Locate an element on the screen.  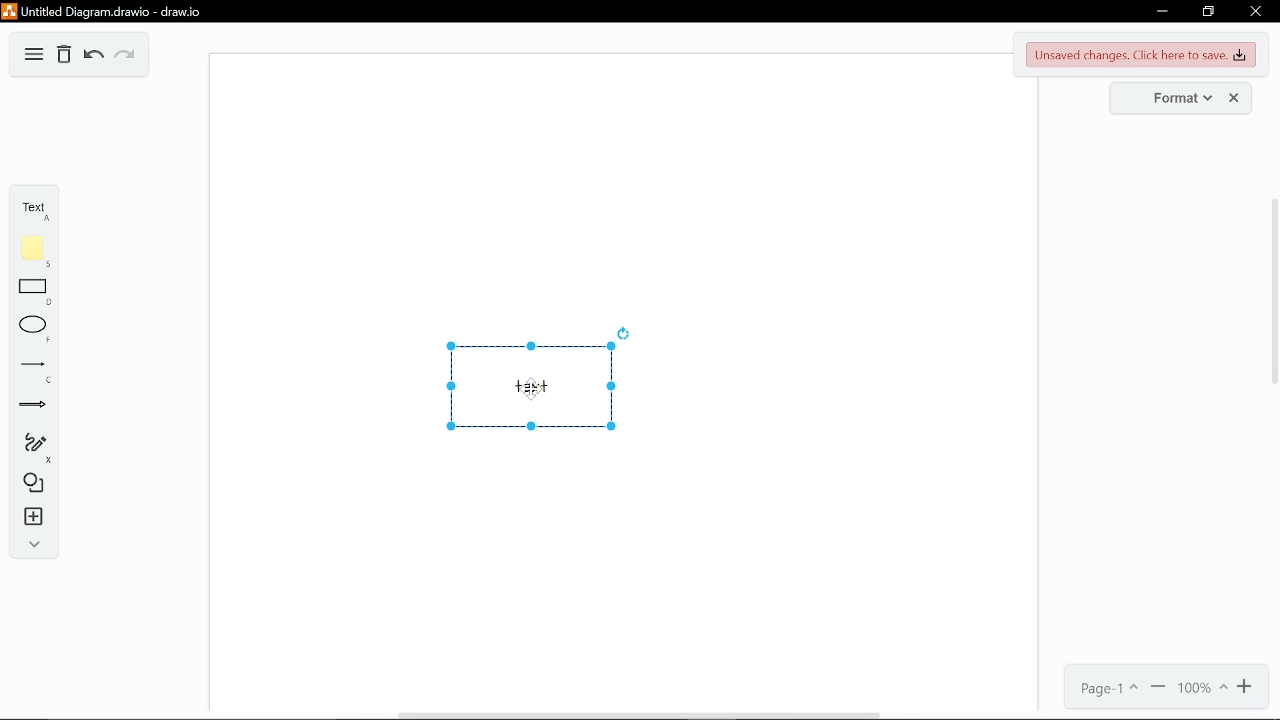
vertical scrollbar is located at coordinates (1275, 291).